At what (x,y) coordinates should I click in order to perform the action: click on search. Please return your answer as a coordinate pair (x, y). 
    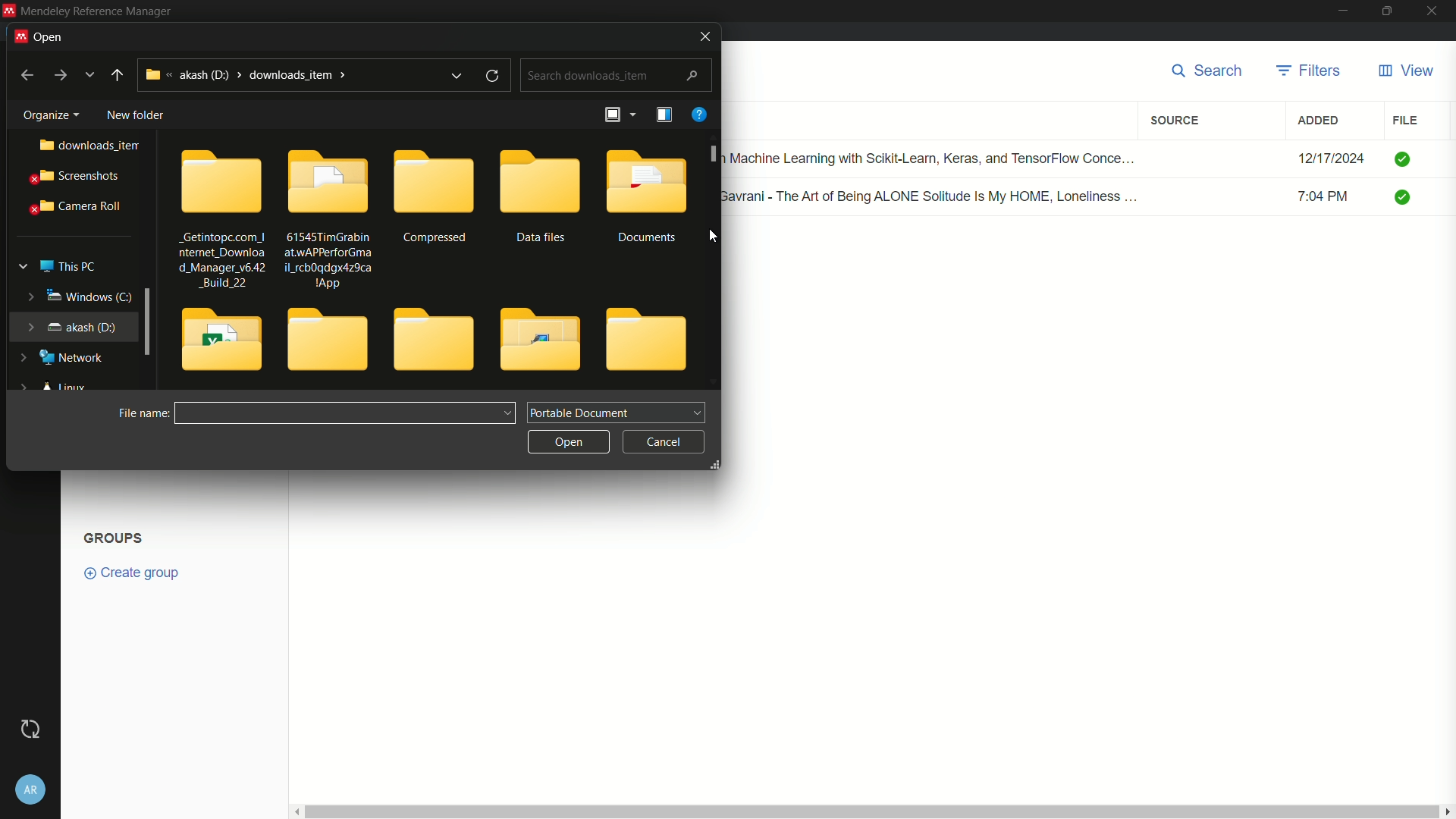
    Looking at the image, I should click on (1212, 72).